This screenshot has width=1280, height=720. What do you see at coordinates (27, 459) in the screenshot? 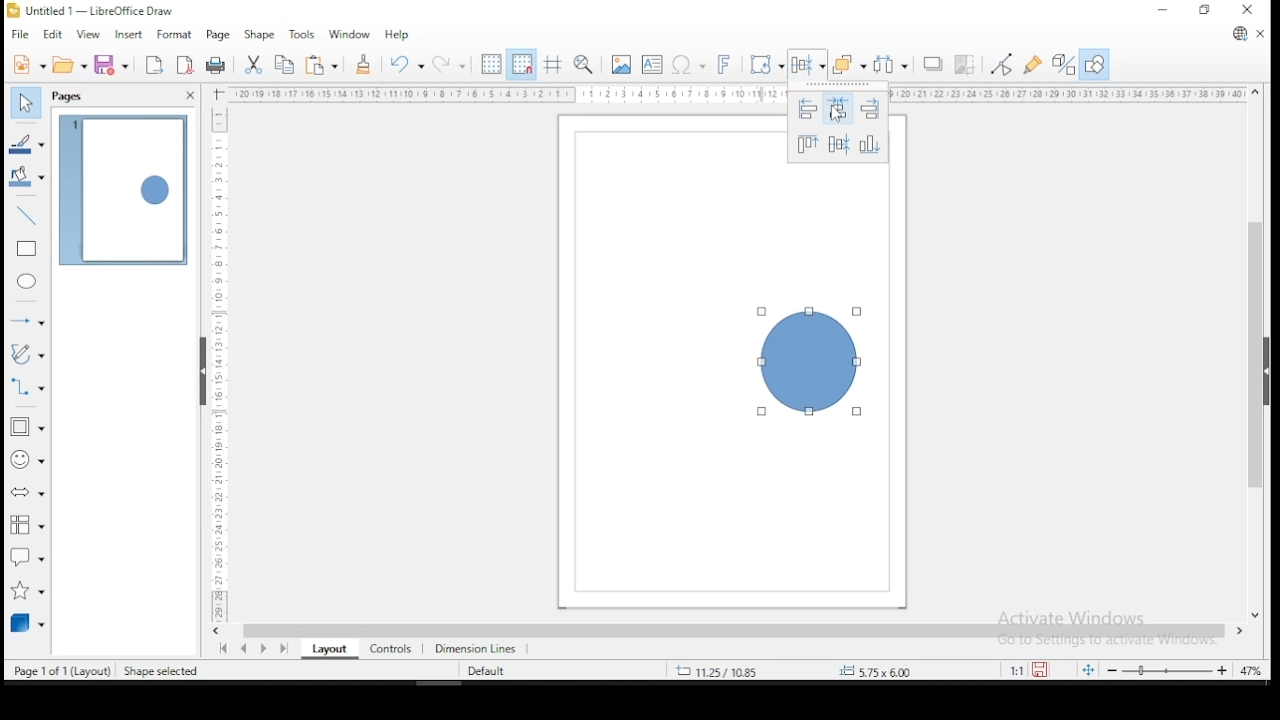
I see `symbol shapes` at bounding box center [27, 459].